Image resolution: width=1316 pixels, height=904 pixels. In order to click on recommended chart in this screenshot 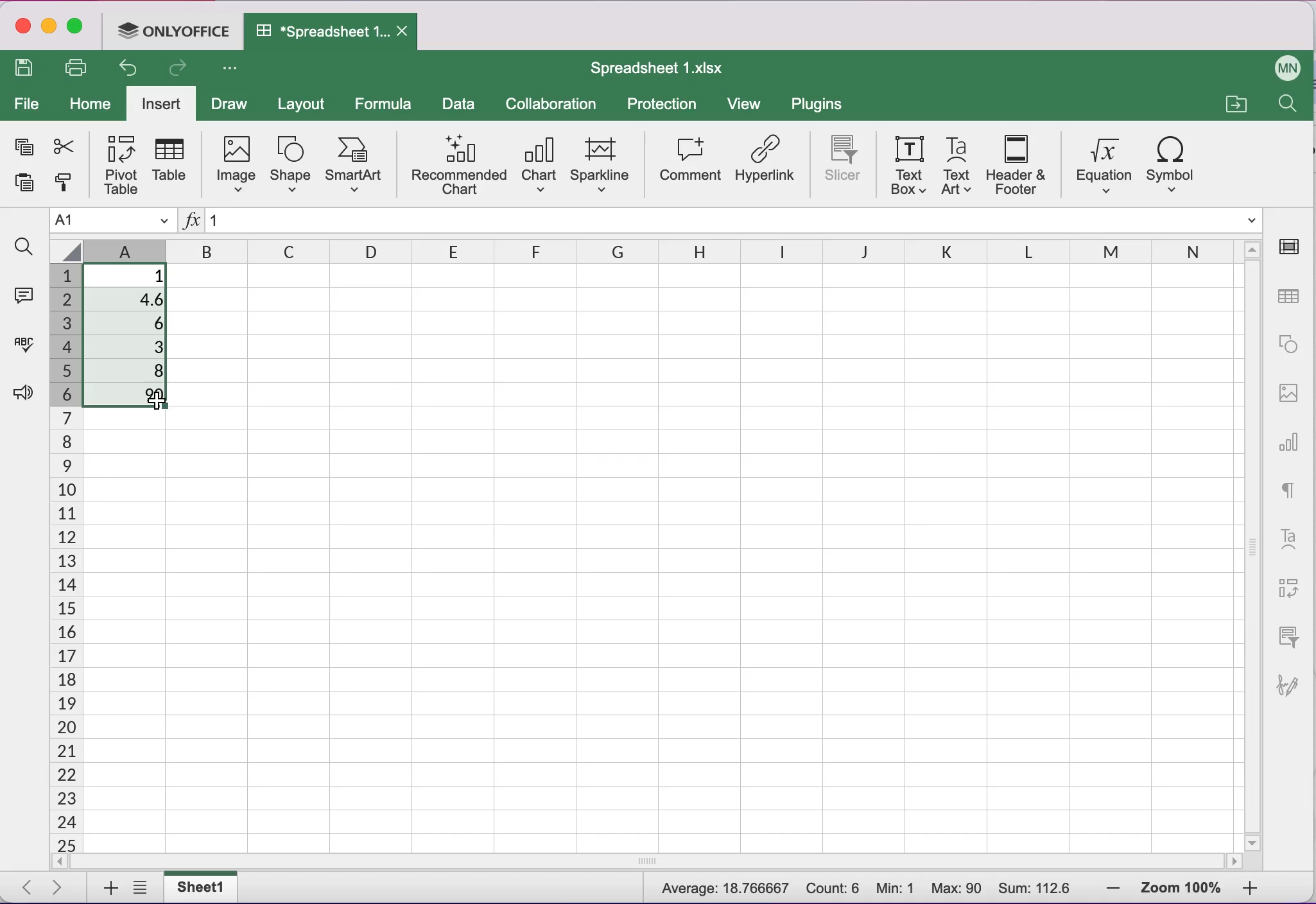, I will do `click(456, 167)`.